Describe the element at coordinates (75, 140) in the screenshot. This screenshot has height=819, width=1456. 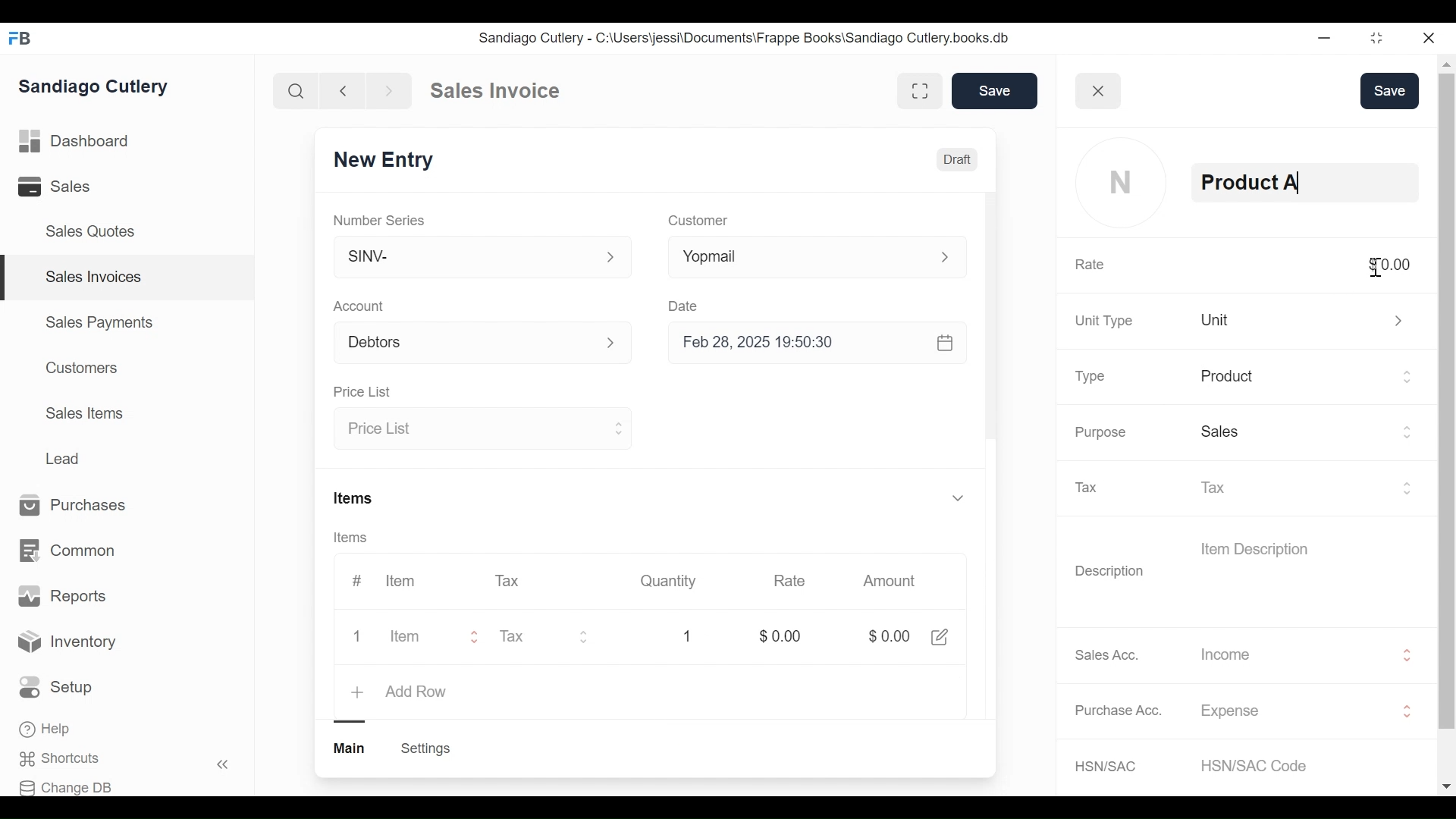
I see `Dashboard` at that location.